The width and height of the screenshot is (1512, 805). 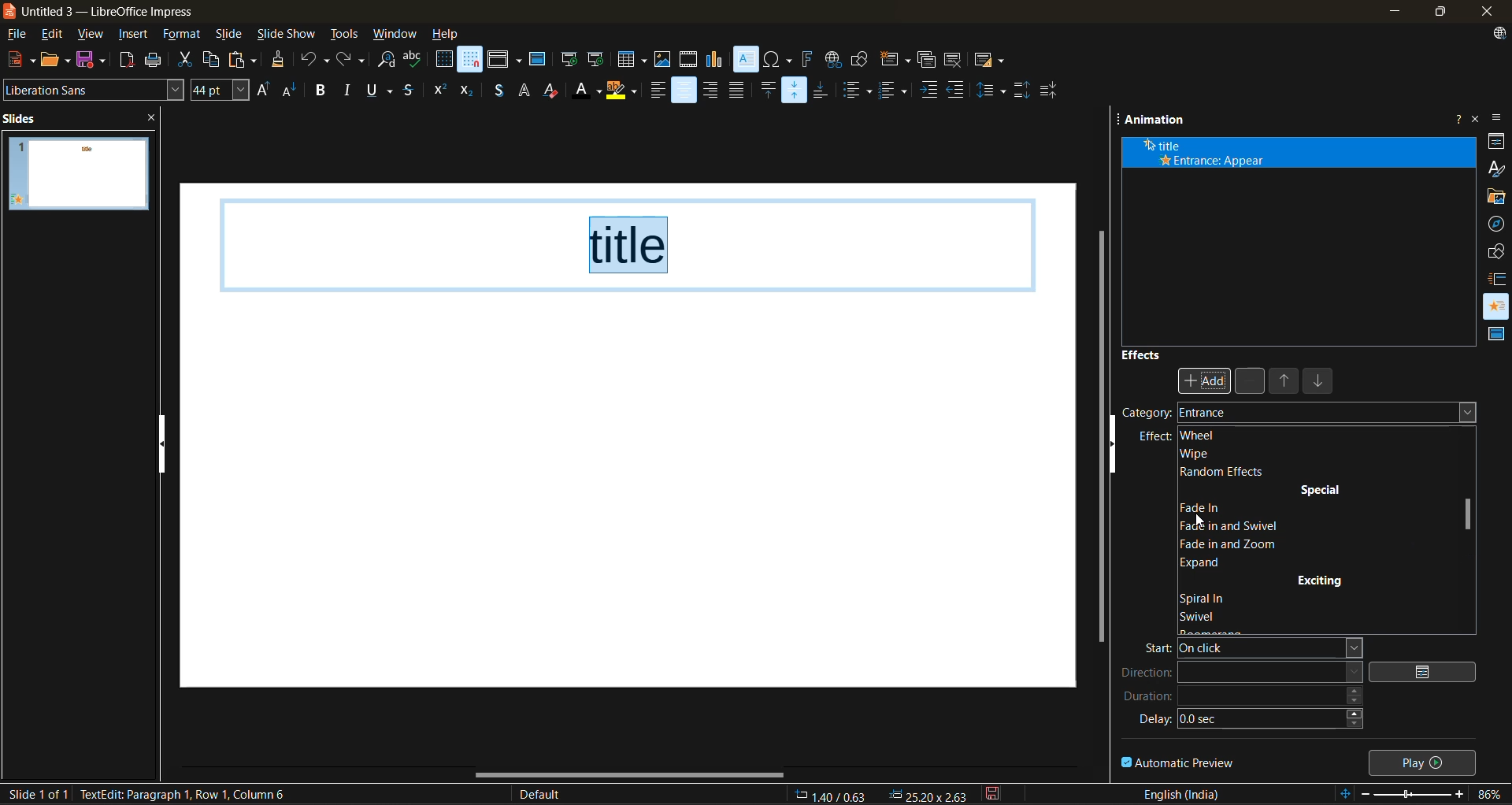 What do you see at coordinates (1493, 335) in the screenshot?
I see `master slides` at bounding box center [1493, 335].